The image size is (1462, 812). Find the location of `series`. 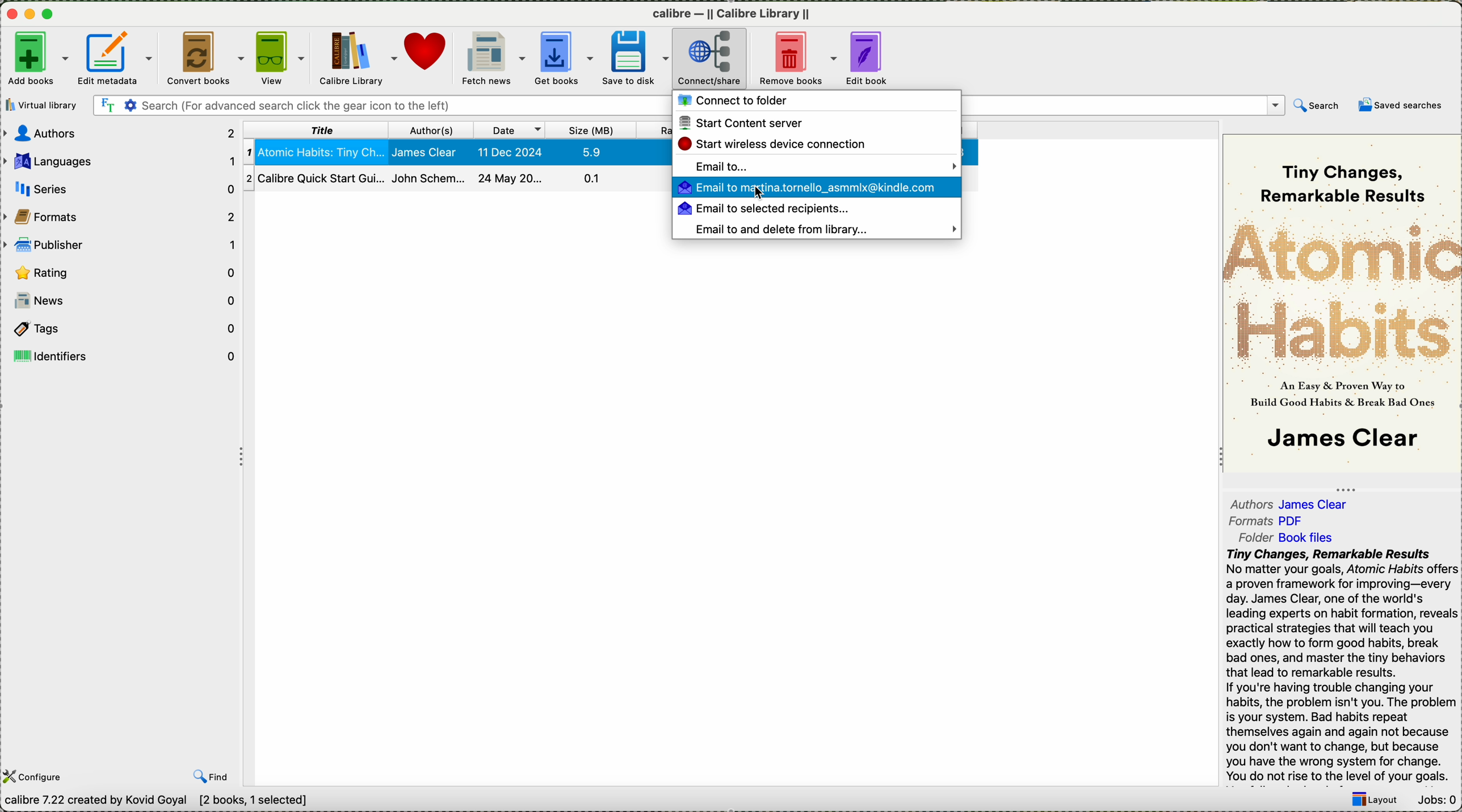

series is located at coordinates (119, 188).